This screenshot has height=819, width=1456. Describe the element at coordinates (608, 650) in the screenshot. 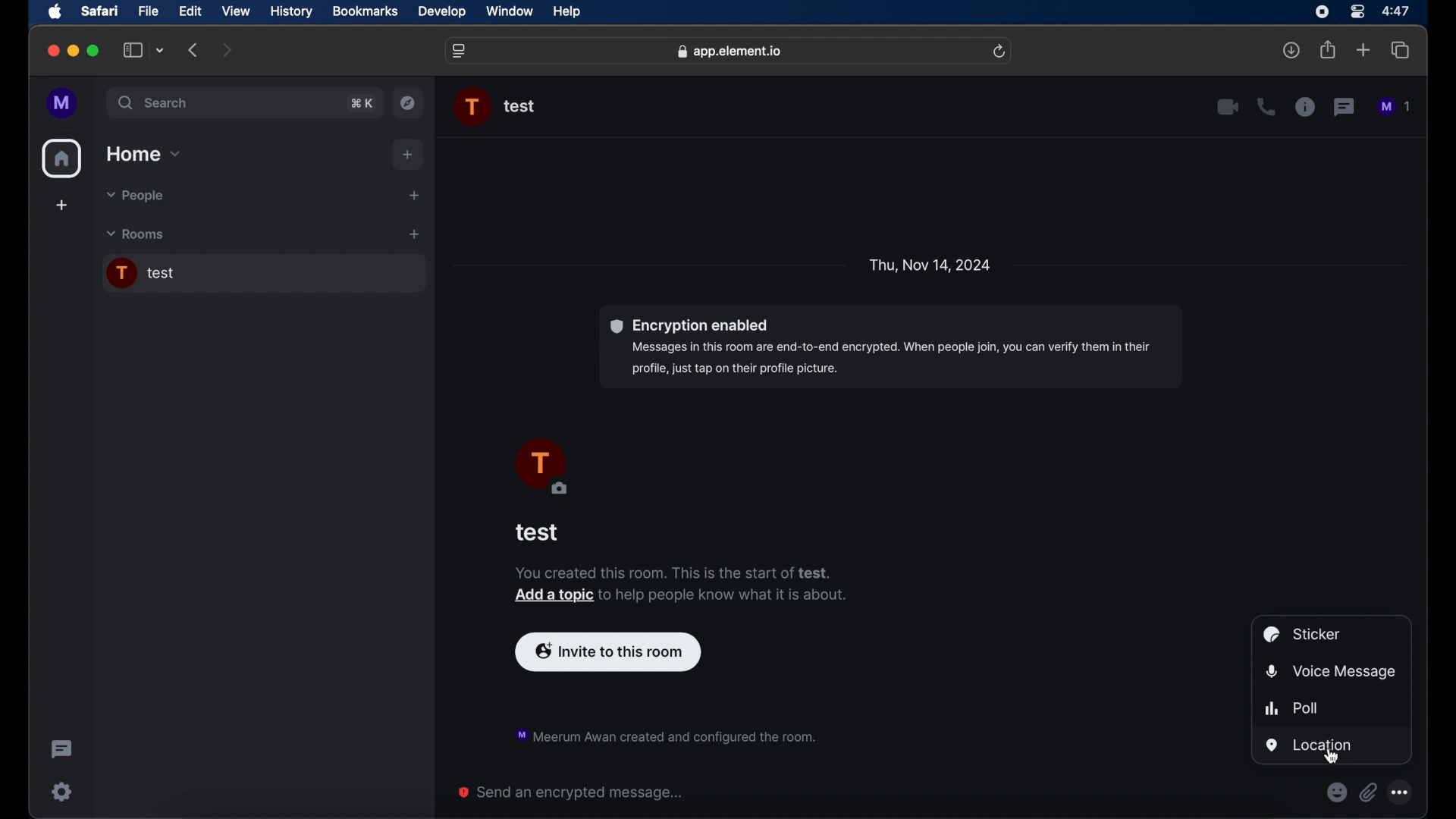

I see `invite to this room` at that location.